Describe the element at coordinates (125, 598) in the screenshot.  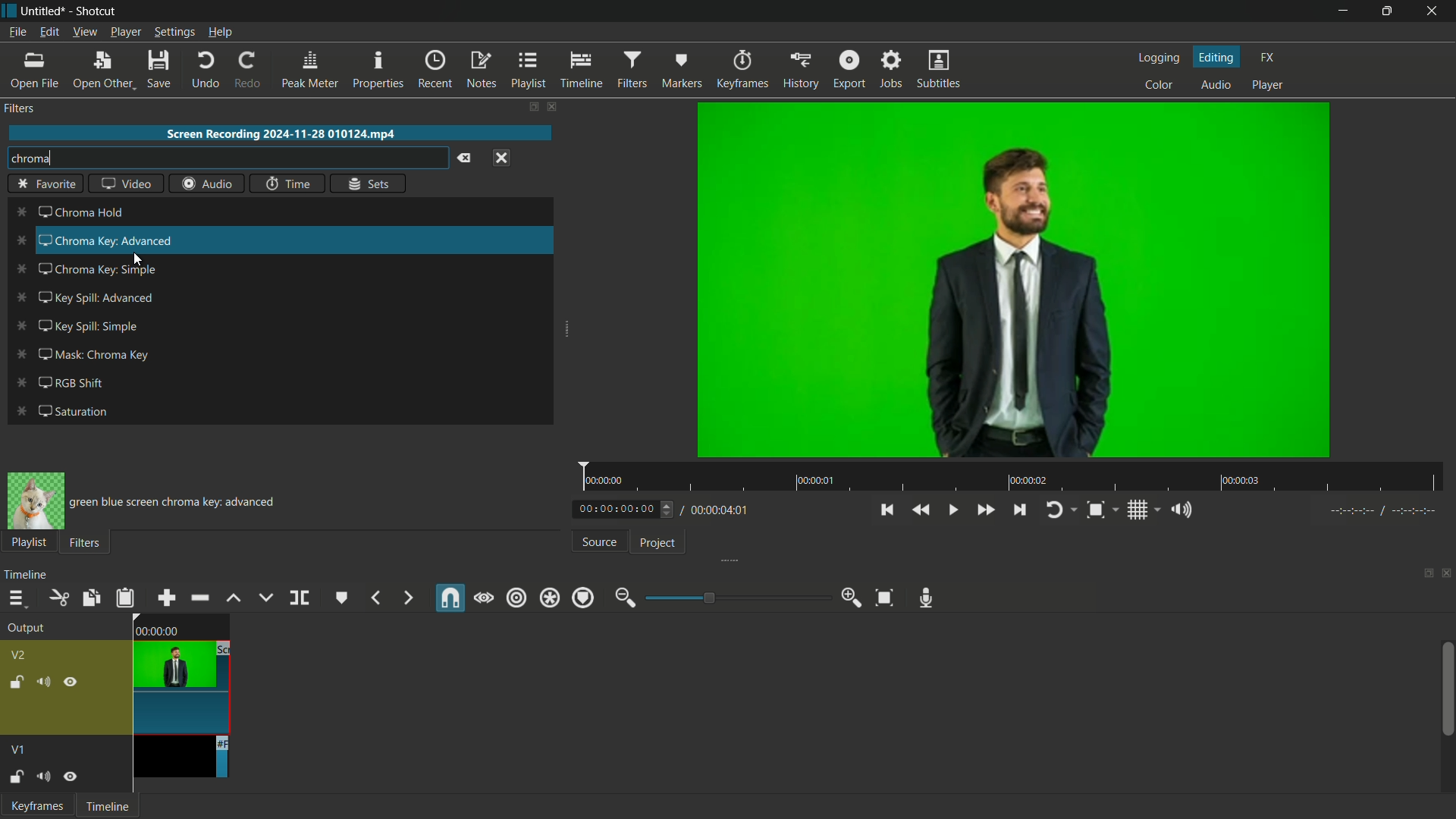
I see `paste` at that location.